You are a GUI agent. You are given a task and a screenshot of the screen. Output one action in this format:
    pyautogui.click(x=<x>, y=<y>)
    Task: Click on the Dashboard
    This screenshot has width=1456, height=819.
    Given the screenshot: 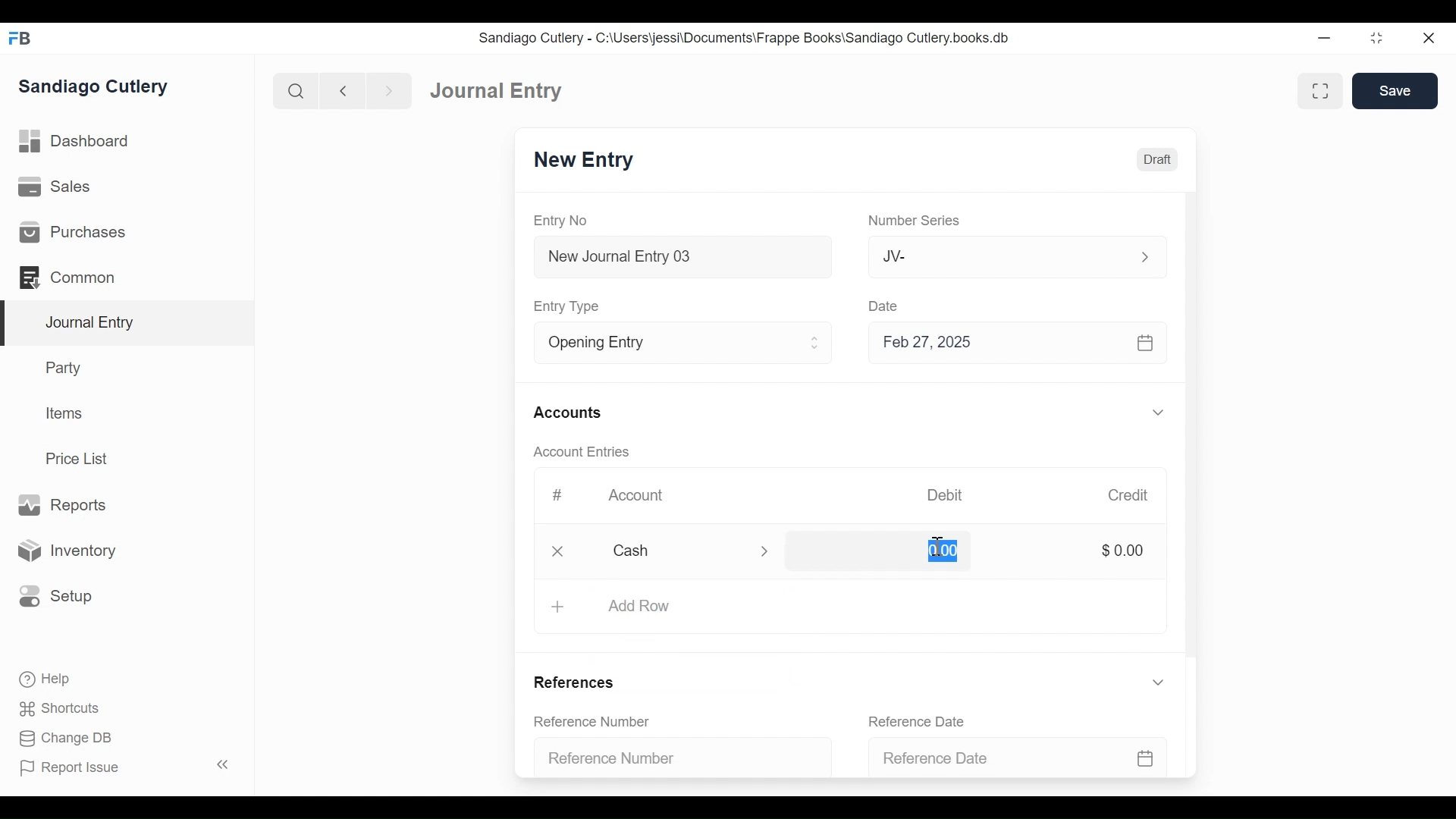 What is the action you would take?
    pyautogui.click(x=75, y=142)
    